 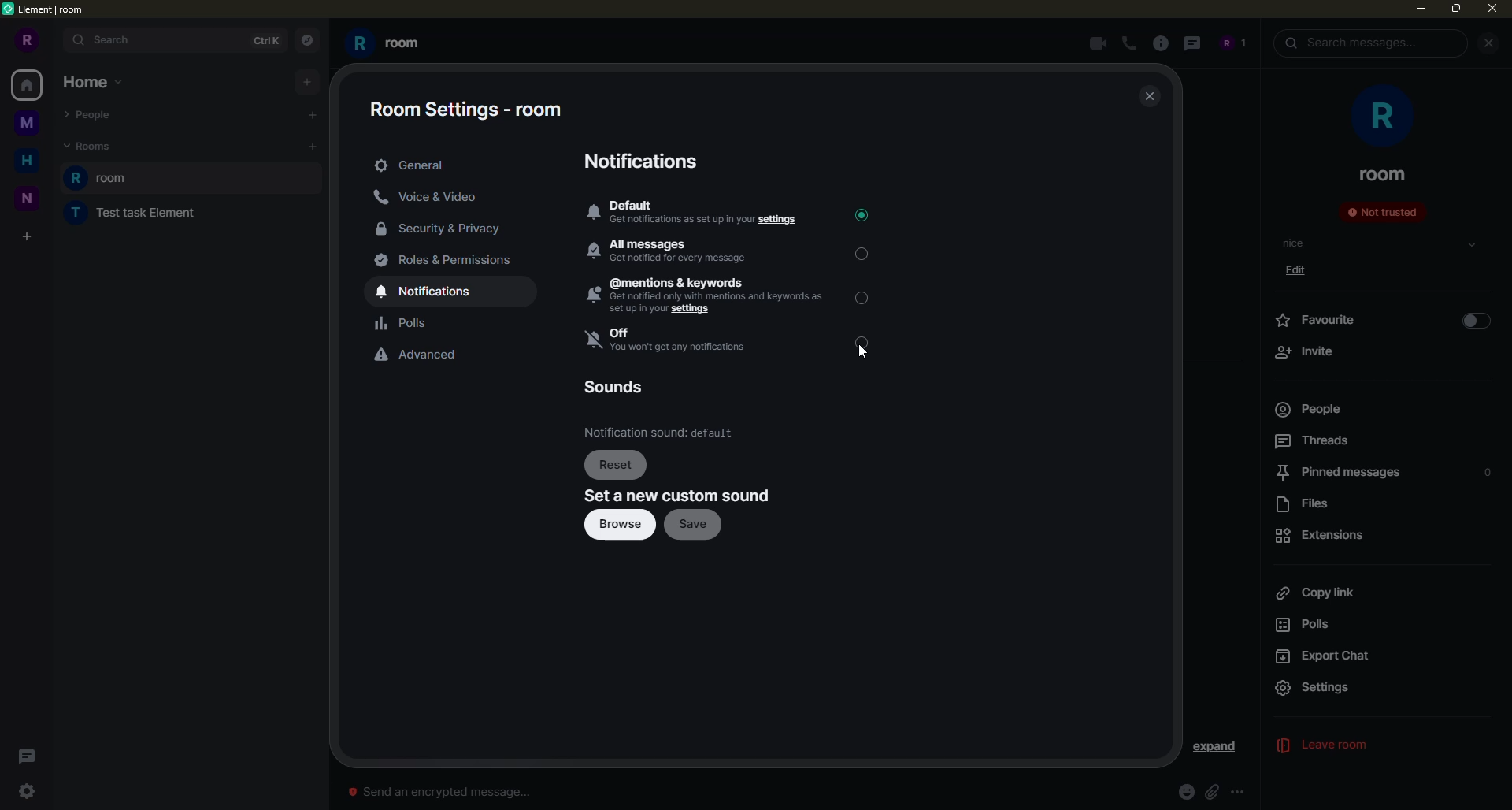 What do you see at coordinates (647, 160) in the screenshot?
I see `notifications` at bounding box center [647, 160].